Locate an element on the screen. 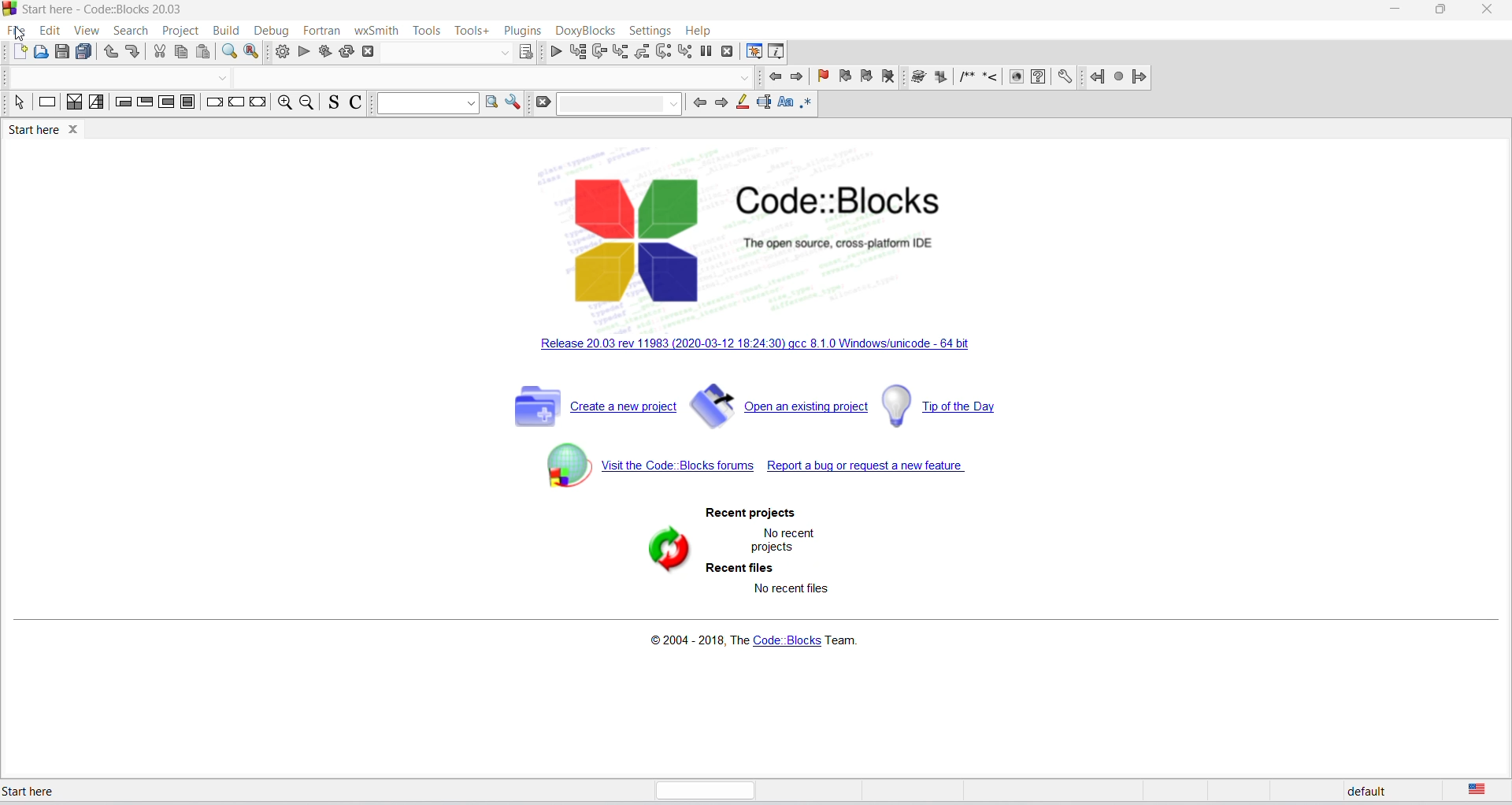 The height and width of the screenshot is (805, 1512). jump back is located at coordinates (1099, 78).